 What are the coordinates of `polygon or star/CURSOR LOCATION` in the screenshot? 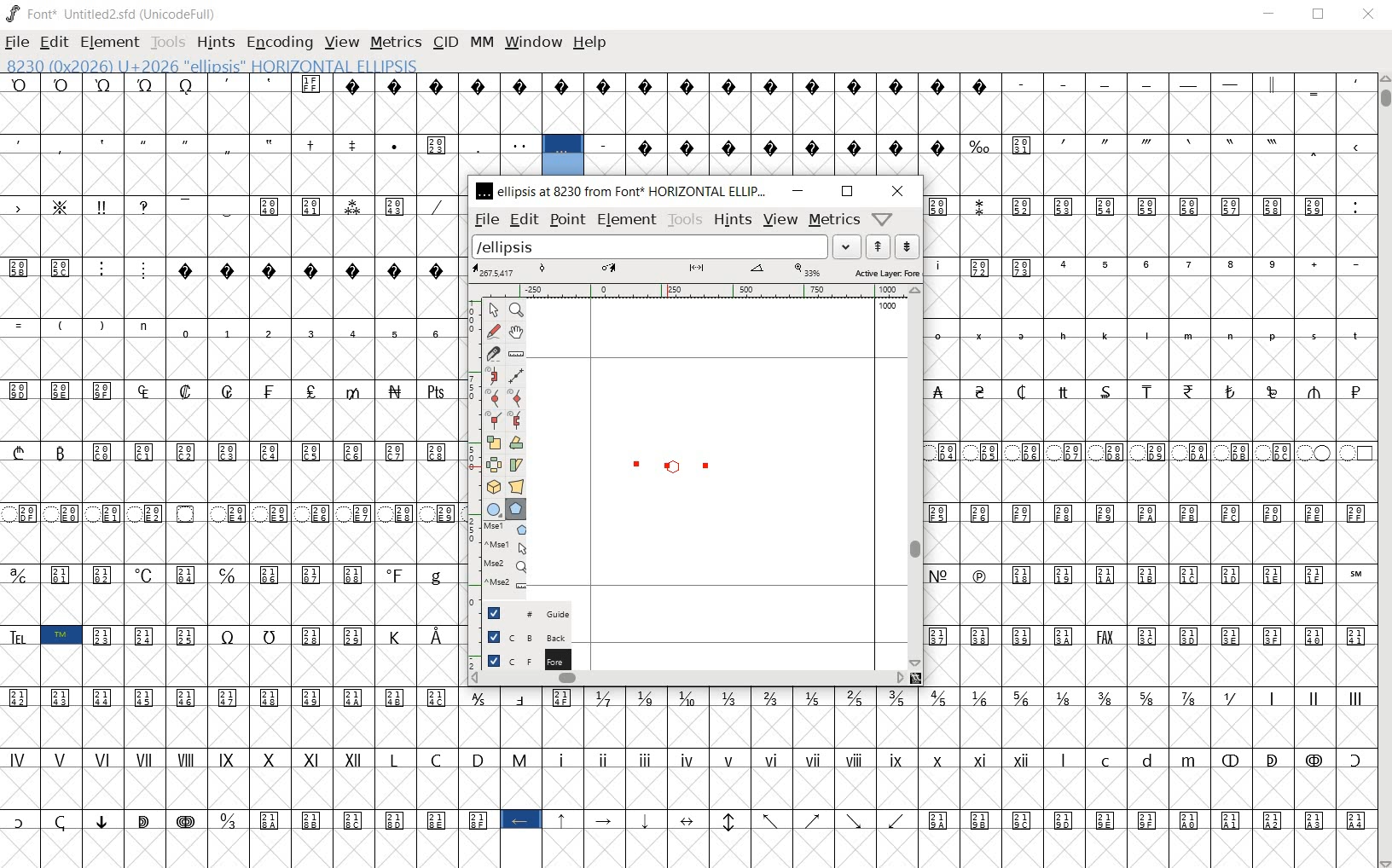 It's located at (677, 466).